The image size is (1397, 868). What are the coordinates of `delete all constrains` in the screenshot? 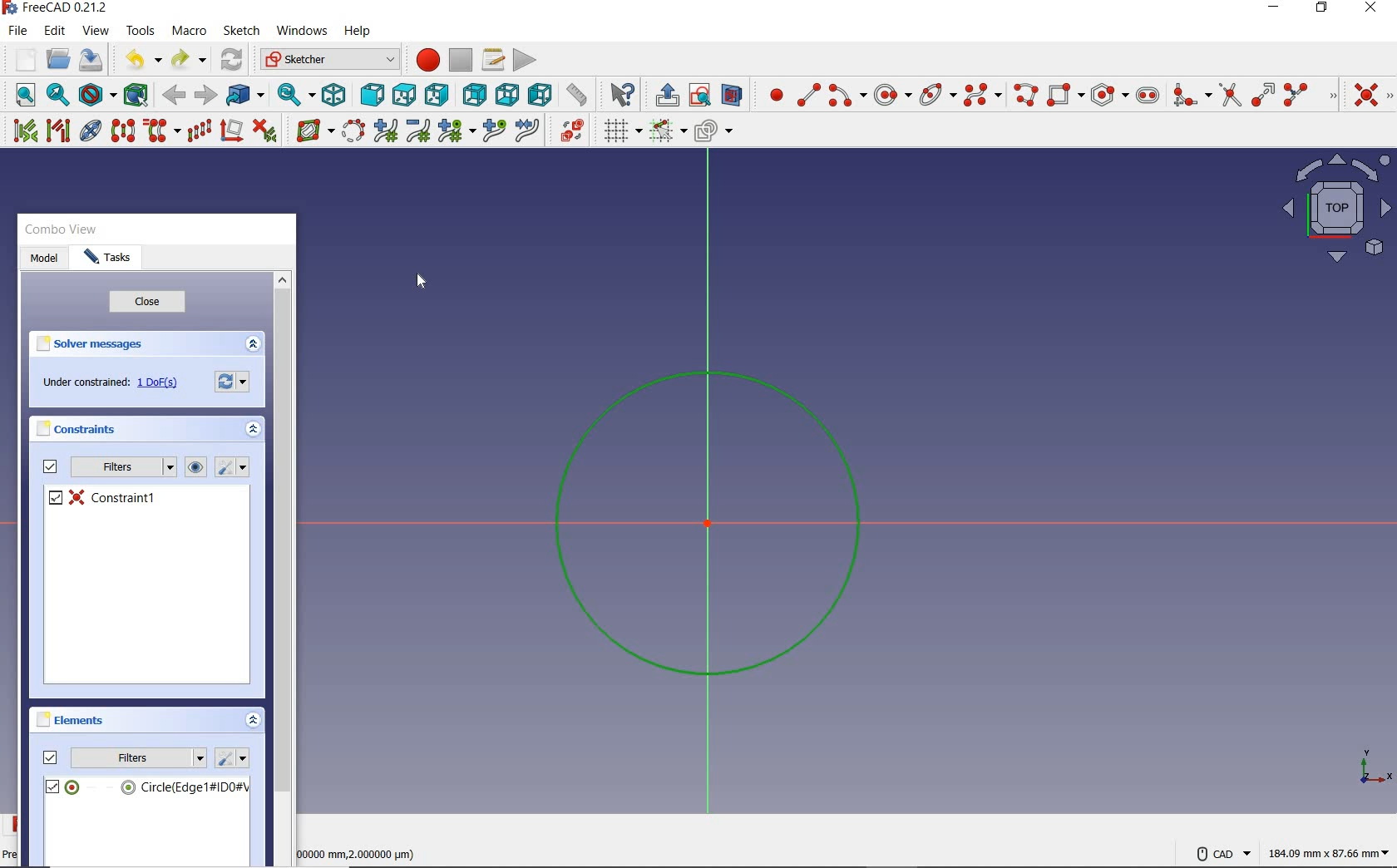 It's located at (264, 131).